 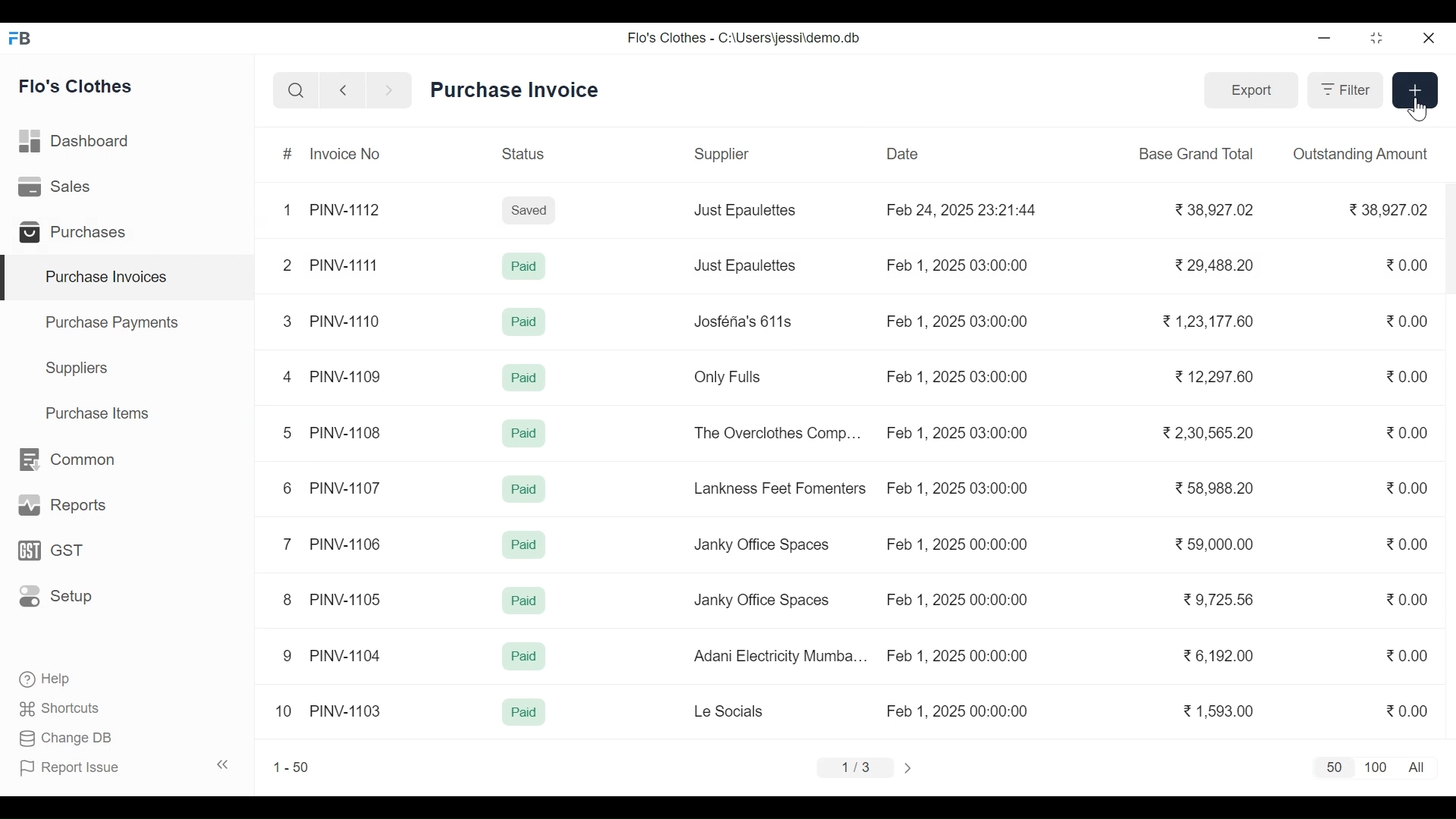 I want to click on PINV-1112, so click(x=344, y=211).